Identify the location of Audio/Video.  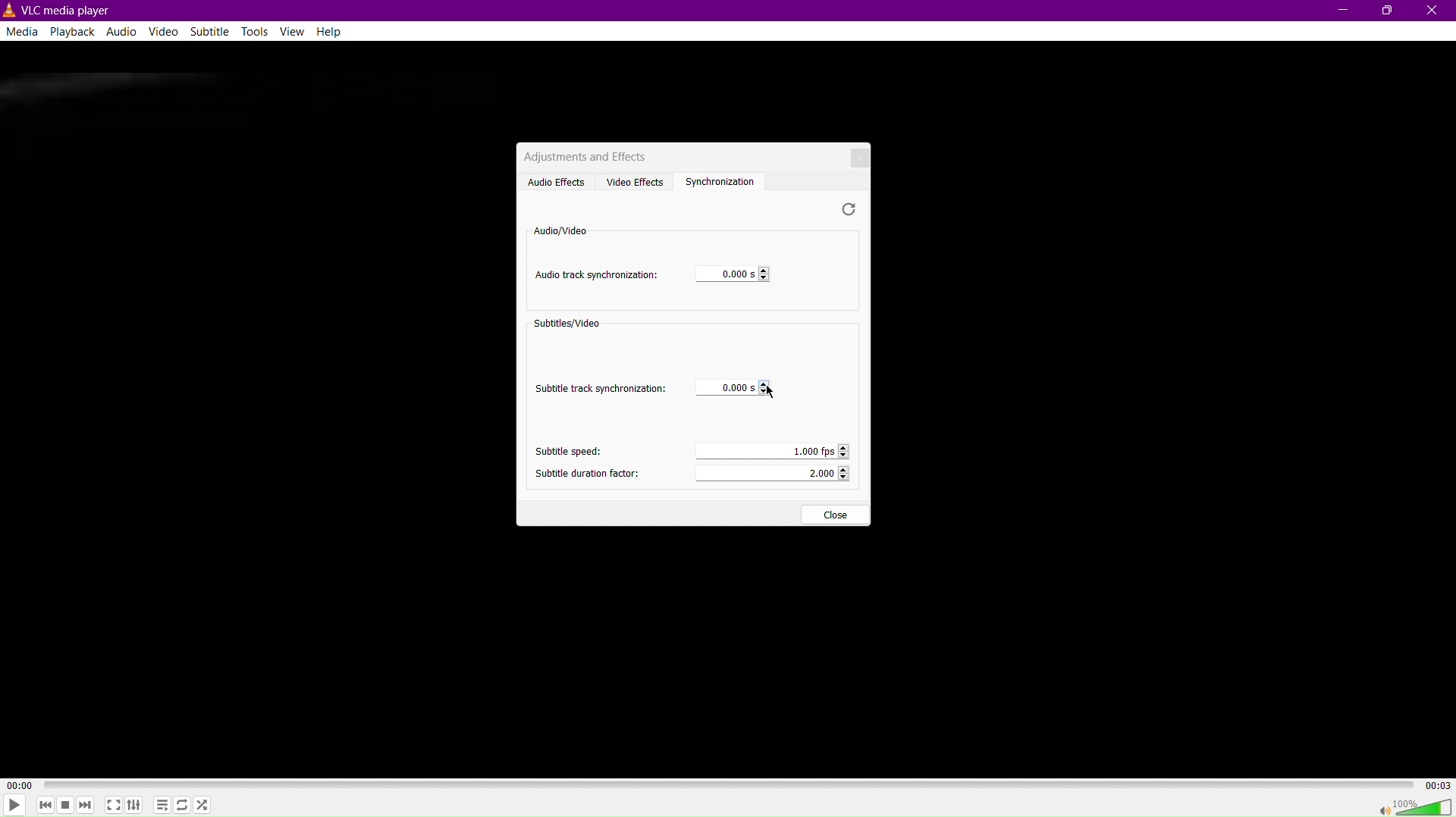
(559, 230).